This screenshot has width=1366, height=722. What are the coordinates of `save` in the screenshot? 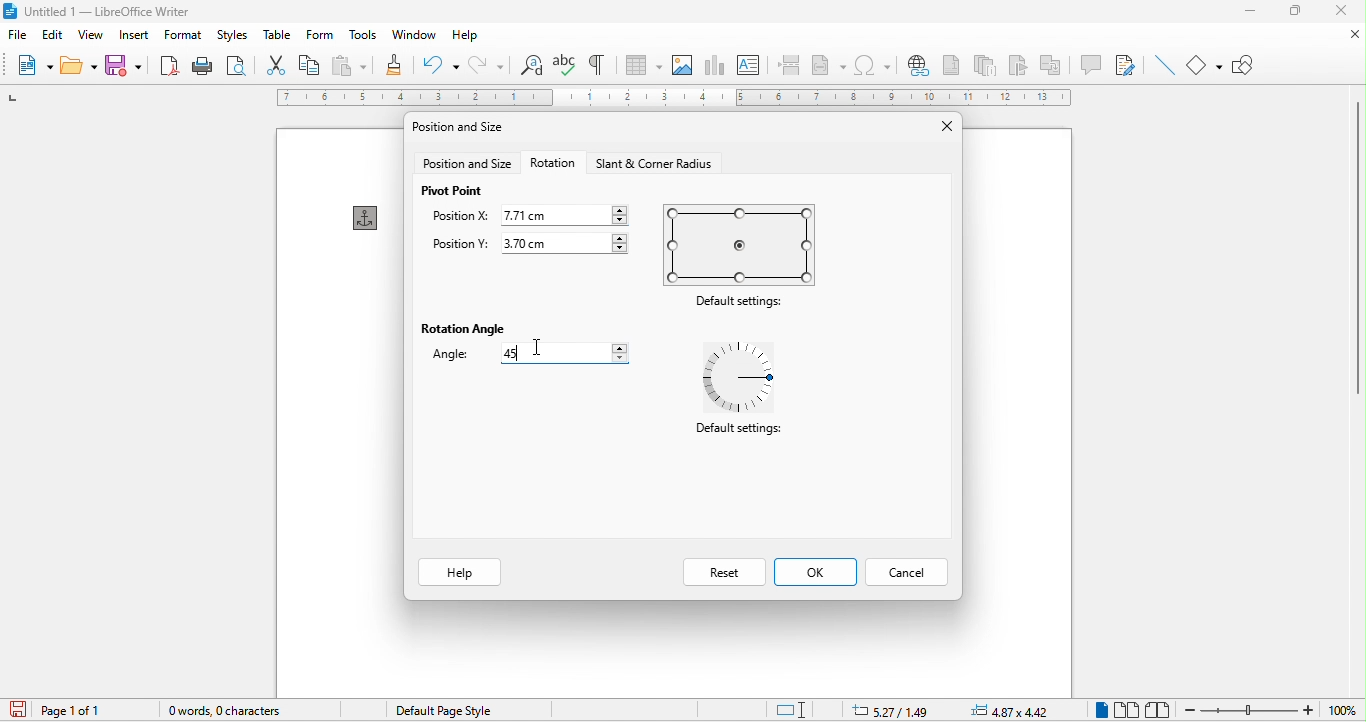 It's located at (126, 63).